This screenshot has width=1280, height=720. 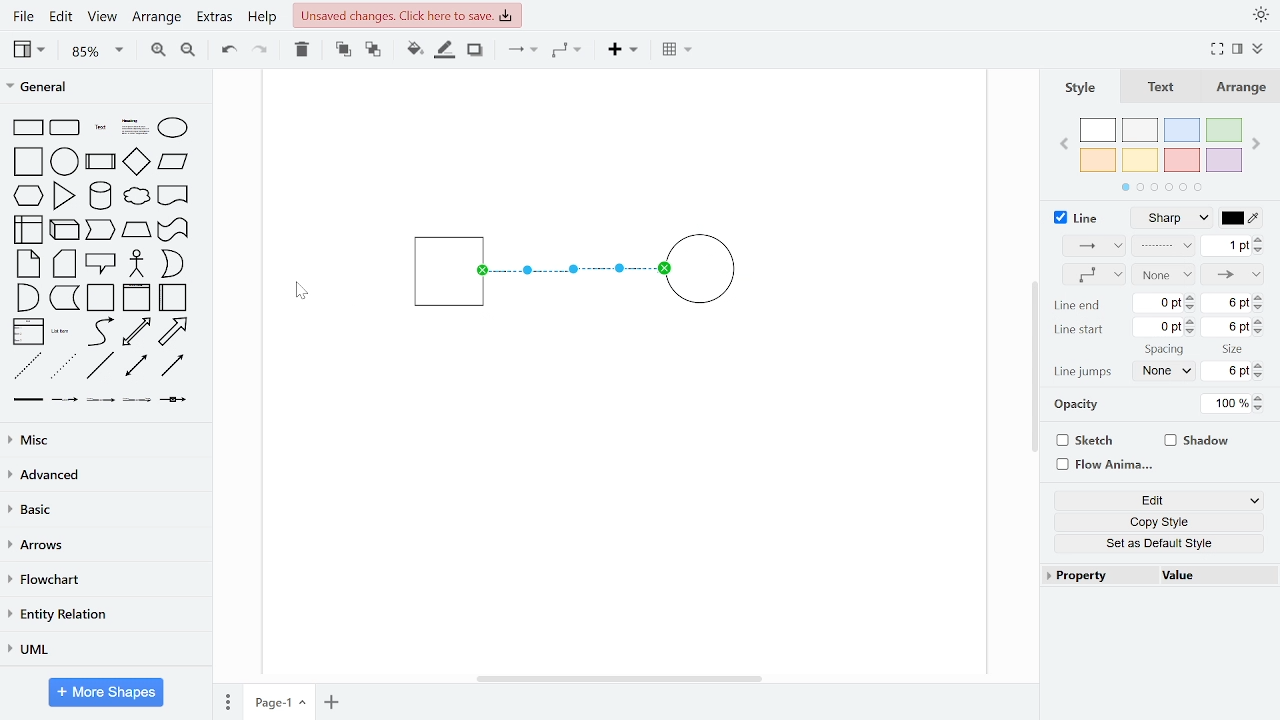 I want to click on style, so click(x=1081, y=89).